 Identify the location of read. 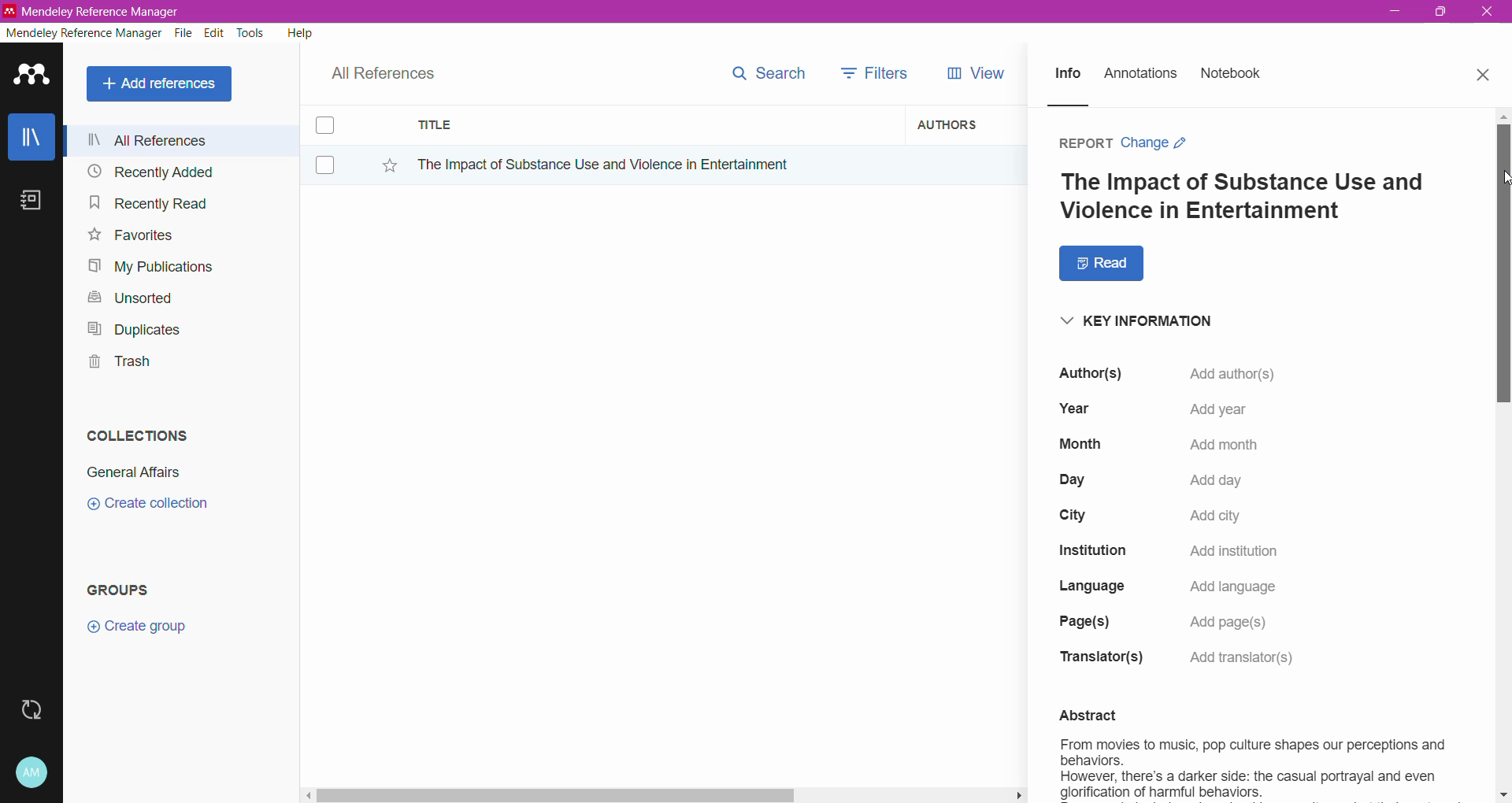
(1099, 264).